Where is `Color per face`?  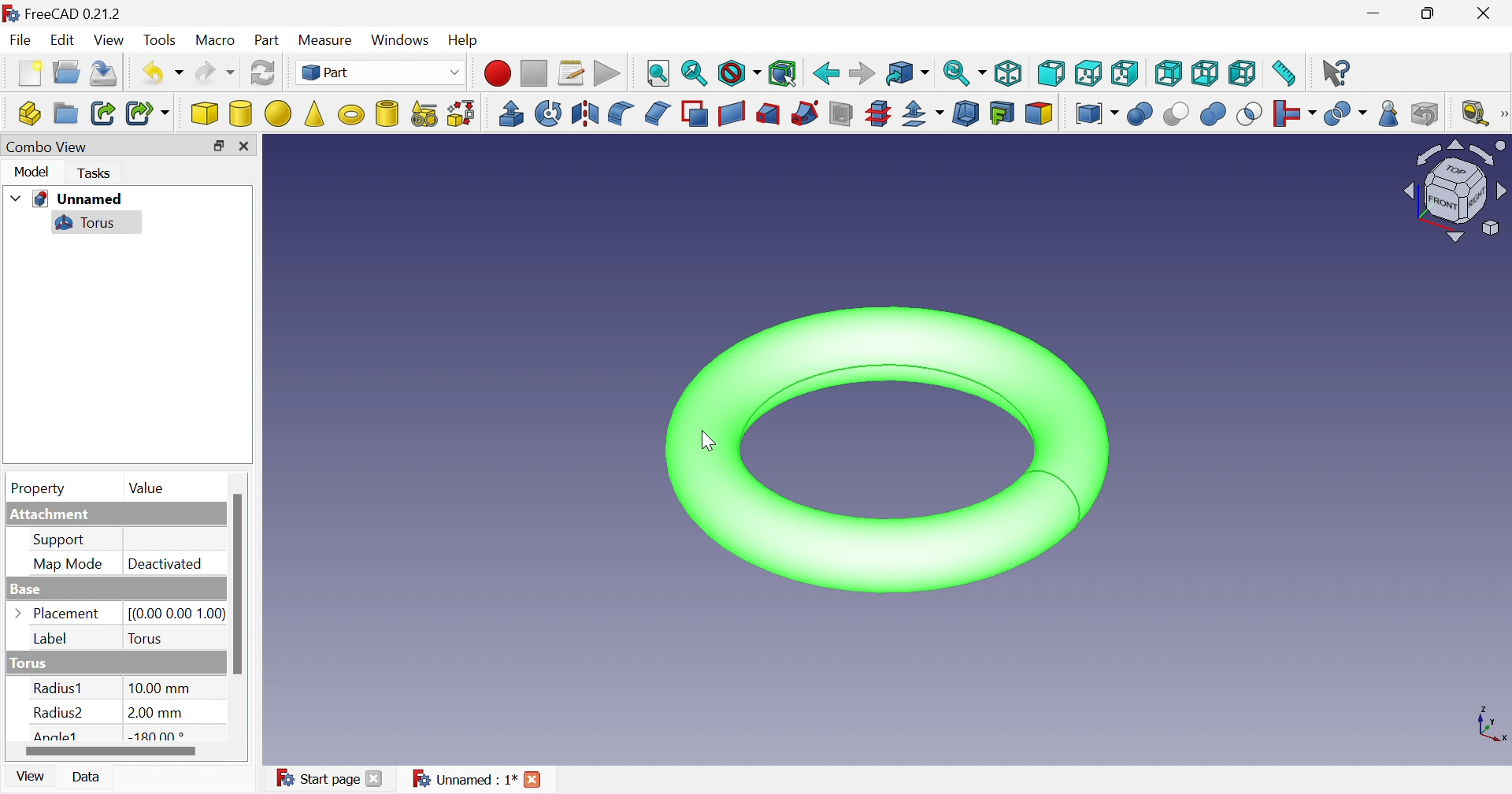
Color per face is located at coordinates (1040, 113).